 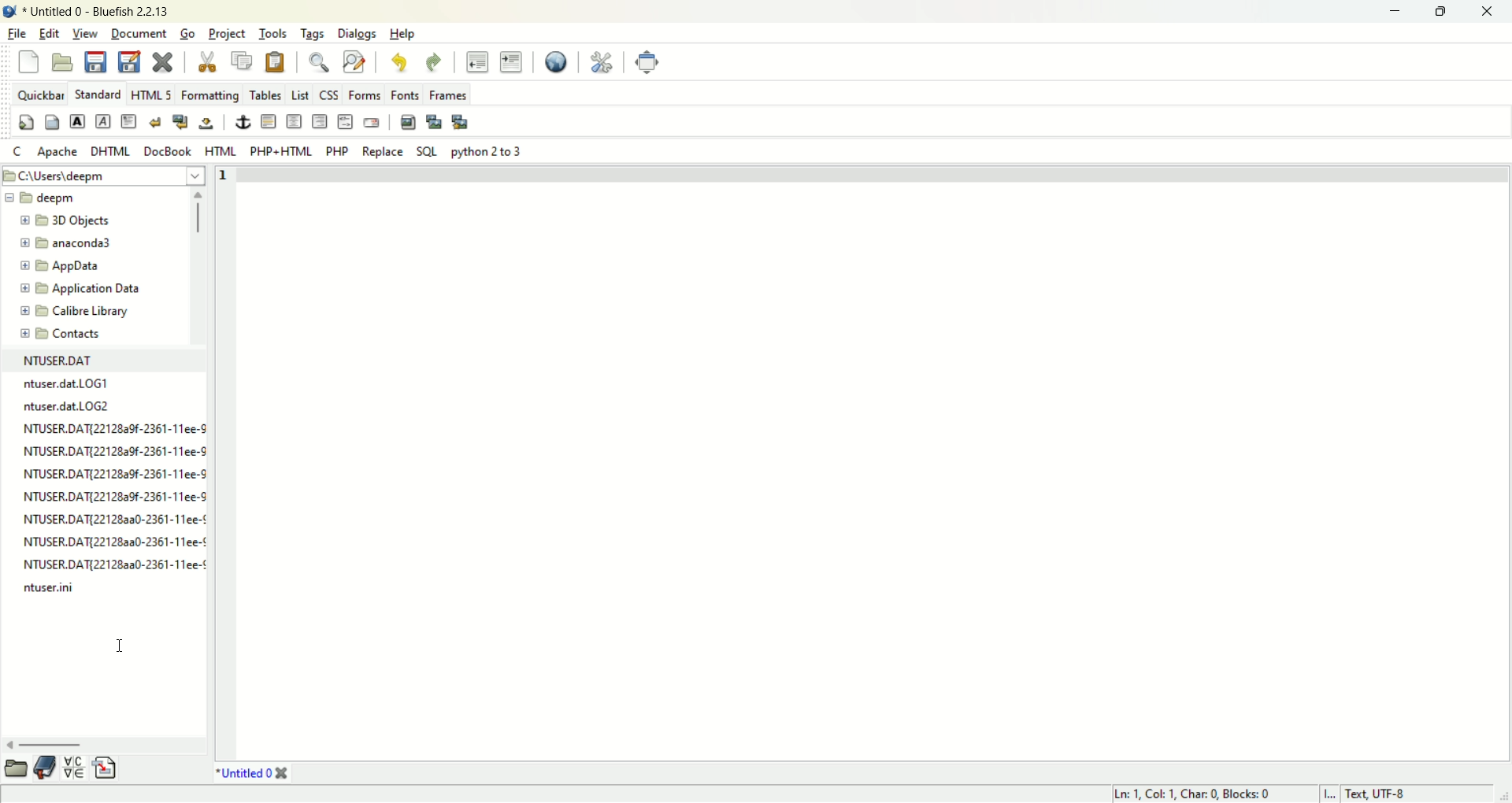 I want to click on application icon, so click(x=9, y=9).